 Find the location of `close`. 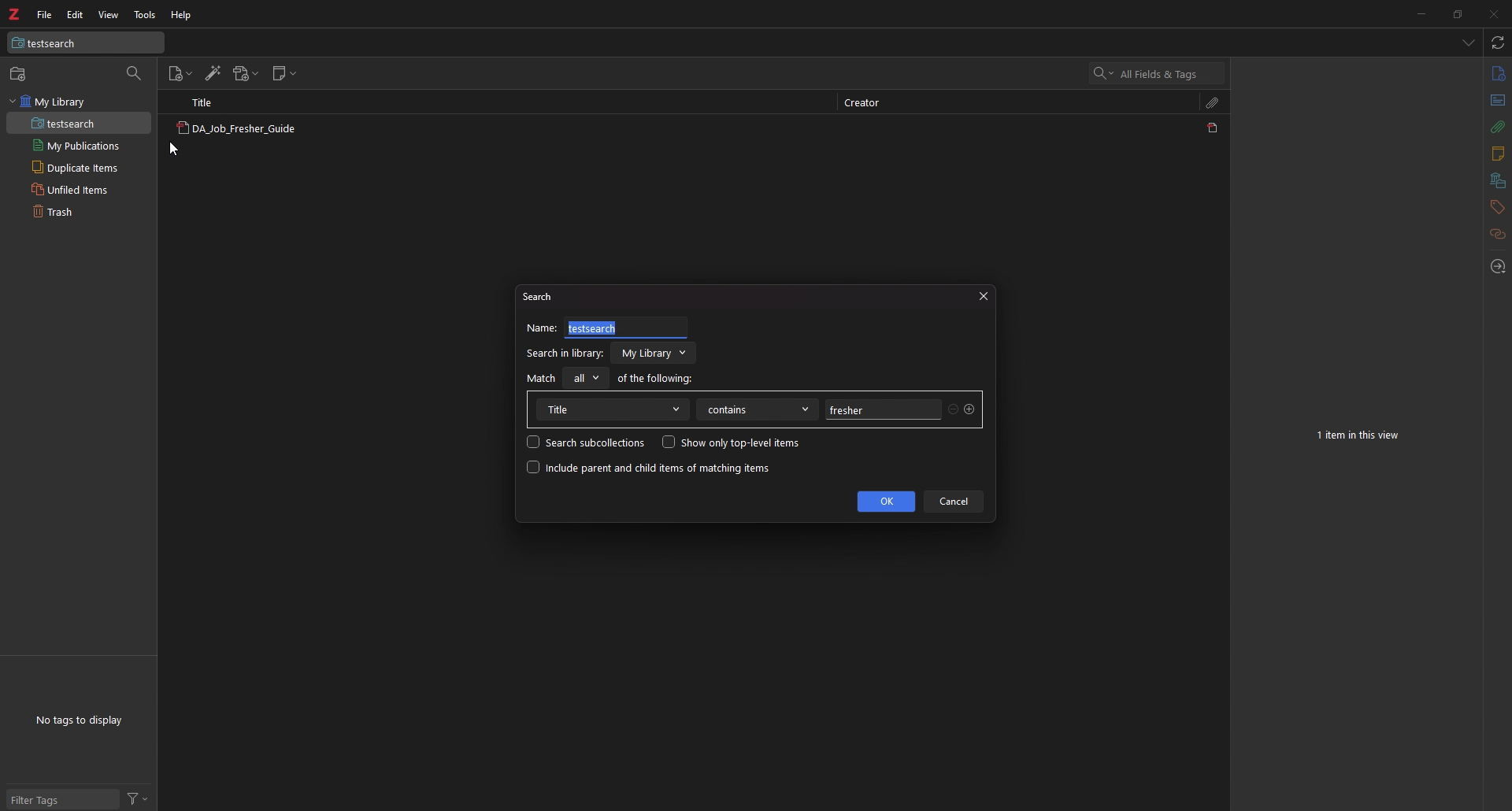

close is located at coordinates (1492, 13).